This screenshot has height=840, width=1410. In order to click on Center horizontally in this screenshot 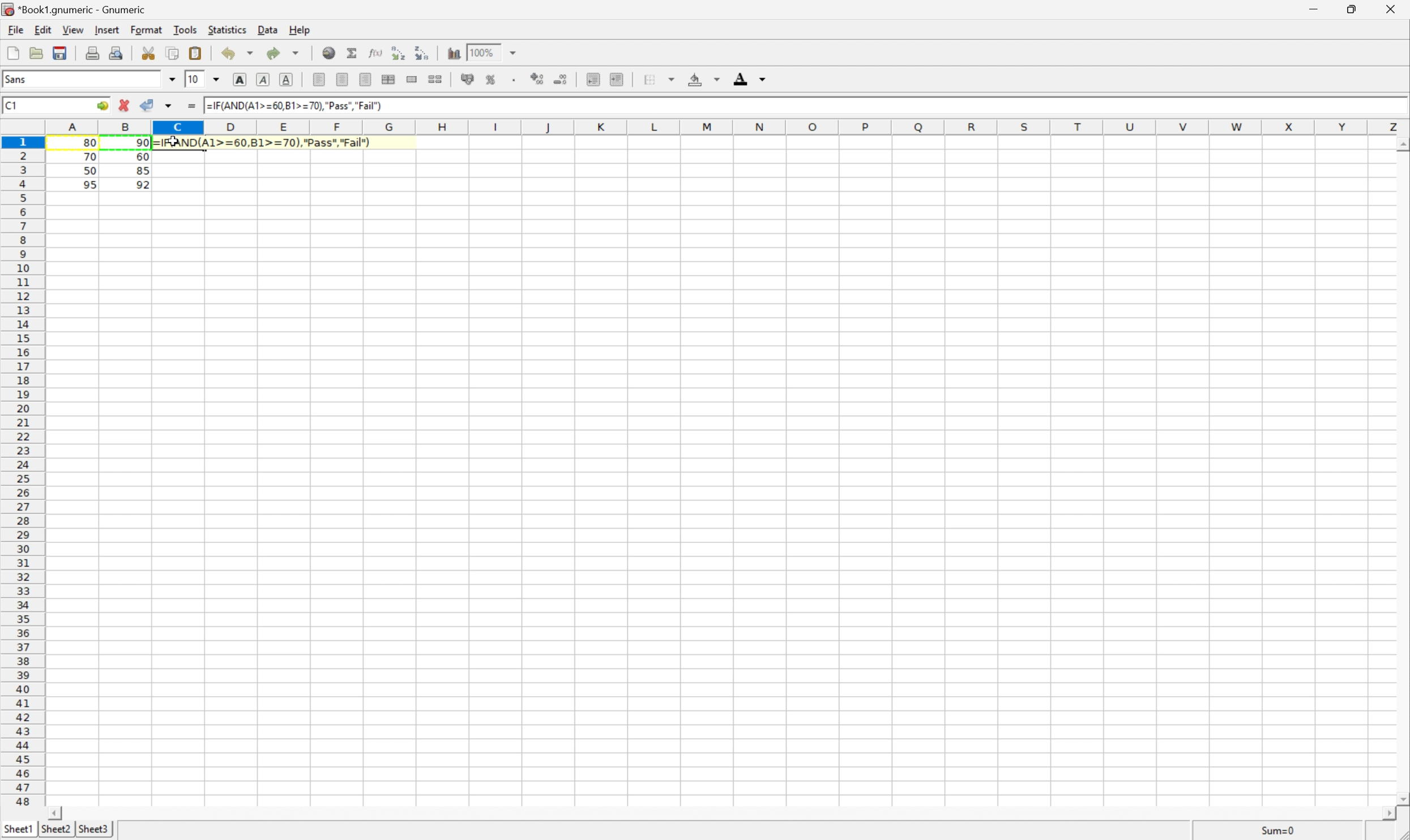, I will do `click(343, 80)`.